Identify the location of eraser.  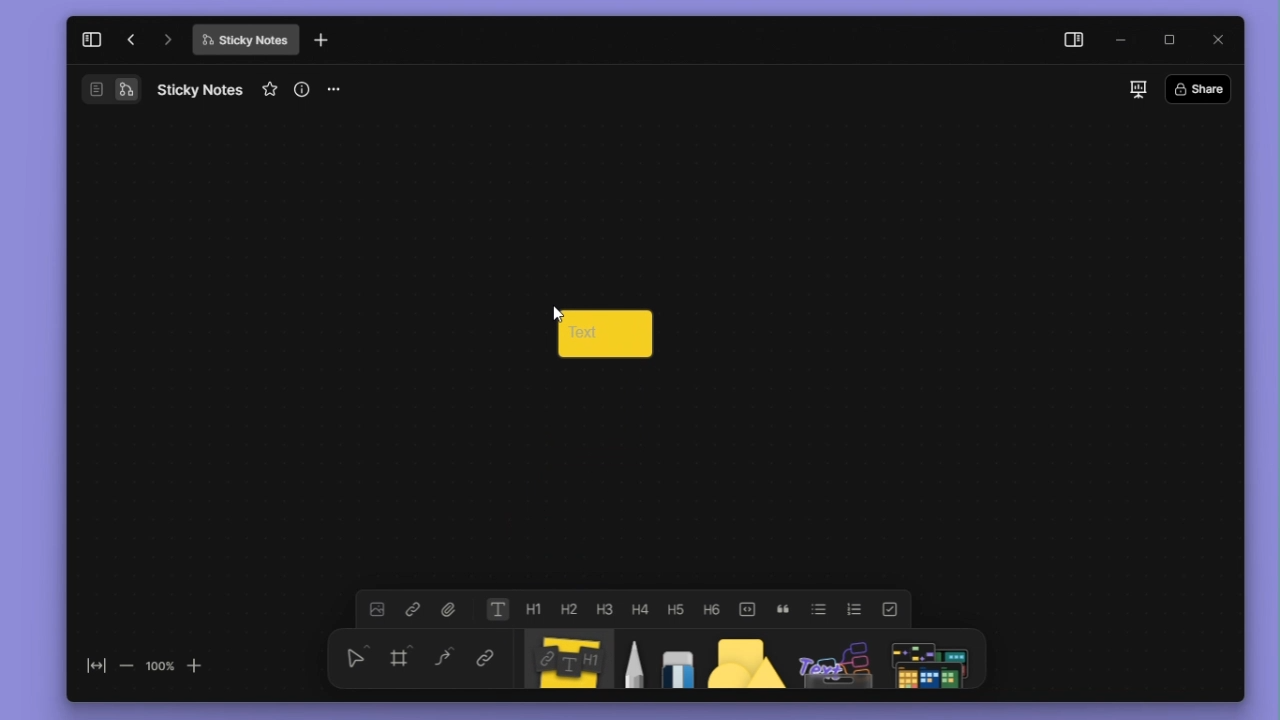
(679, 659).